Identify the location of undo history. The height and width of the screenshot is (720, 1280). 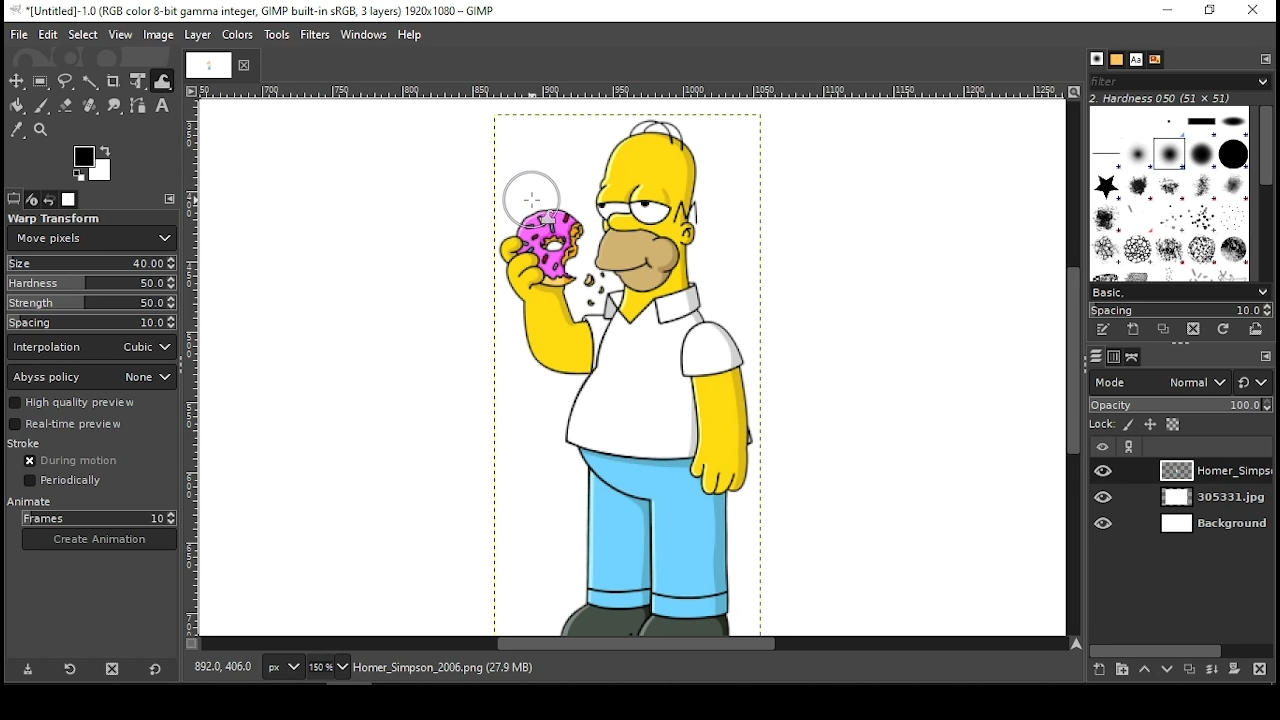
(49, 199).